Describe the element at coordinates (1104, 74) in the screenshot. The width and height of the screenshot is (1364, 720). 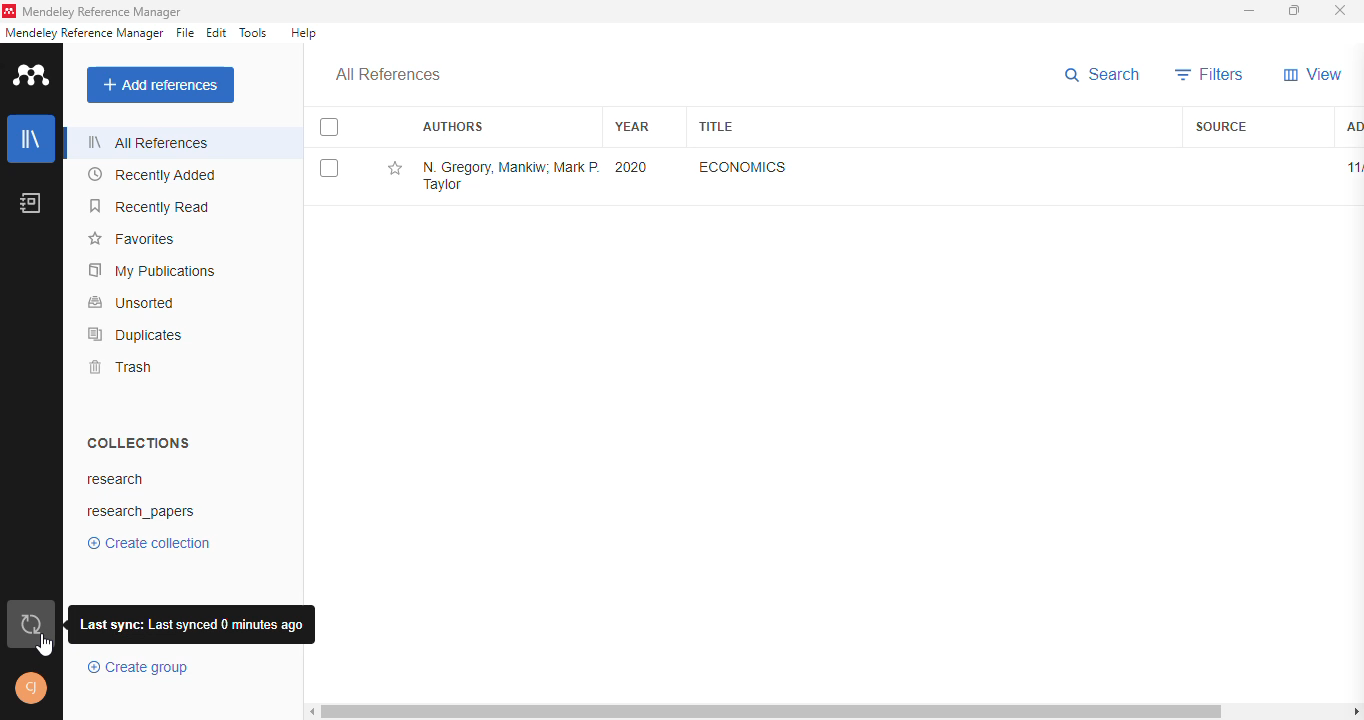
I see `search` at that location.